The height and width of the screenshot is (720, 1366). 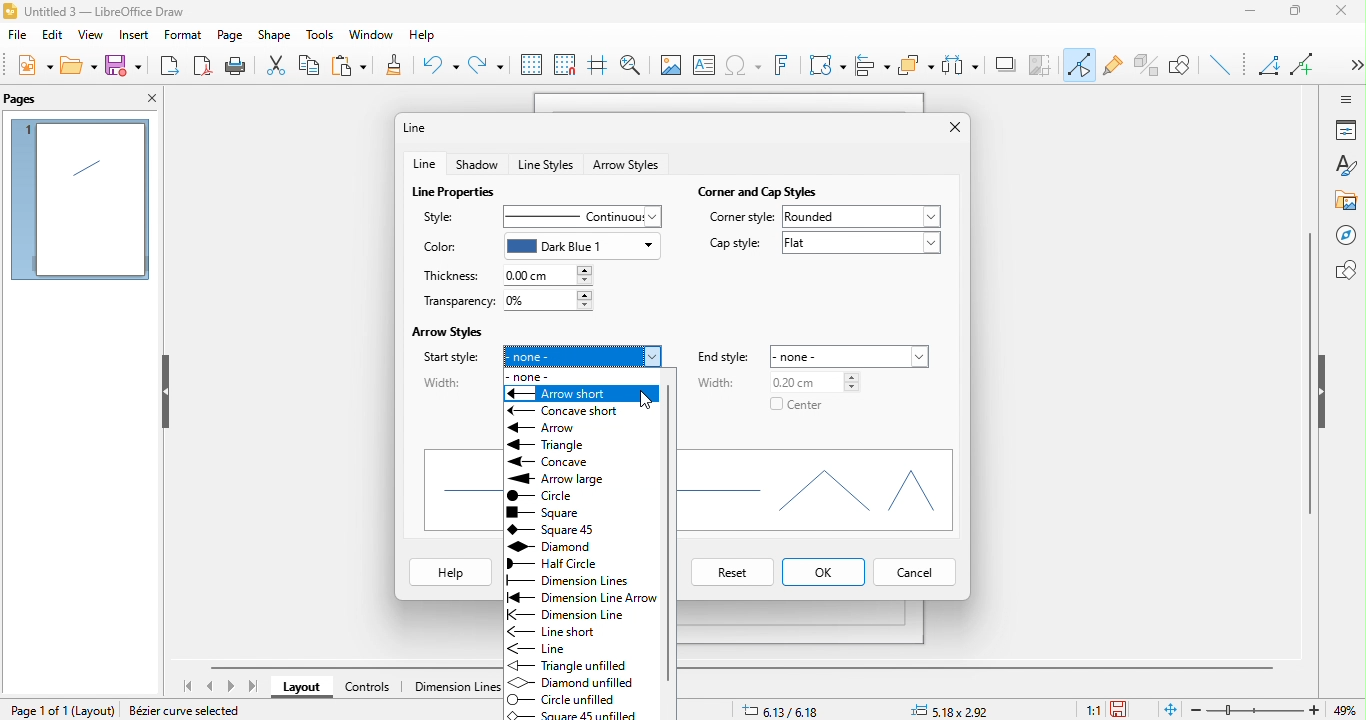 What do you see at coordinates (1309, 372) in the screenshot?
I see `vertical scroll bar` at bounding box center [1309, 372].